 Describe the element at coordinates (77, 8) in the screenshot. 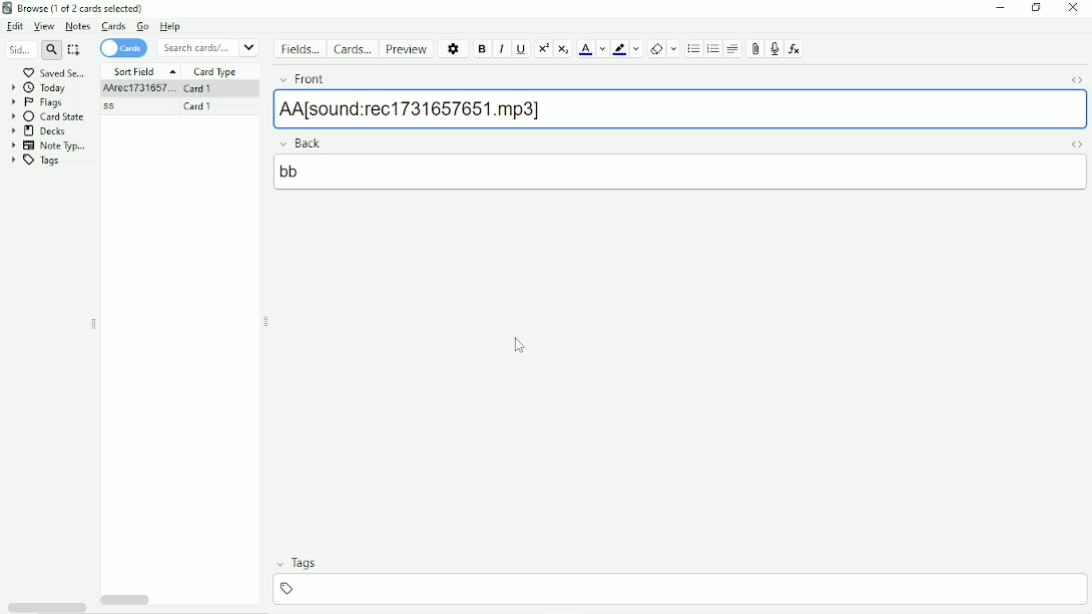

I see `Browse (1 of 2 cards selected)` at that location.